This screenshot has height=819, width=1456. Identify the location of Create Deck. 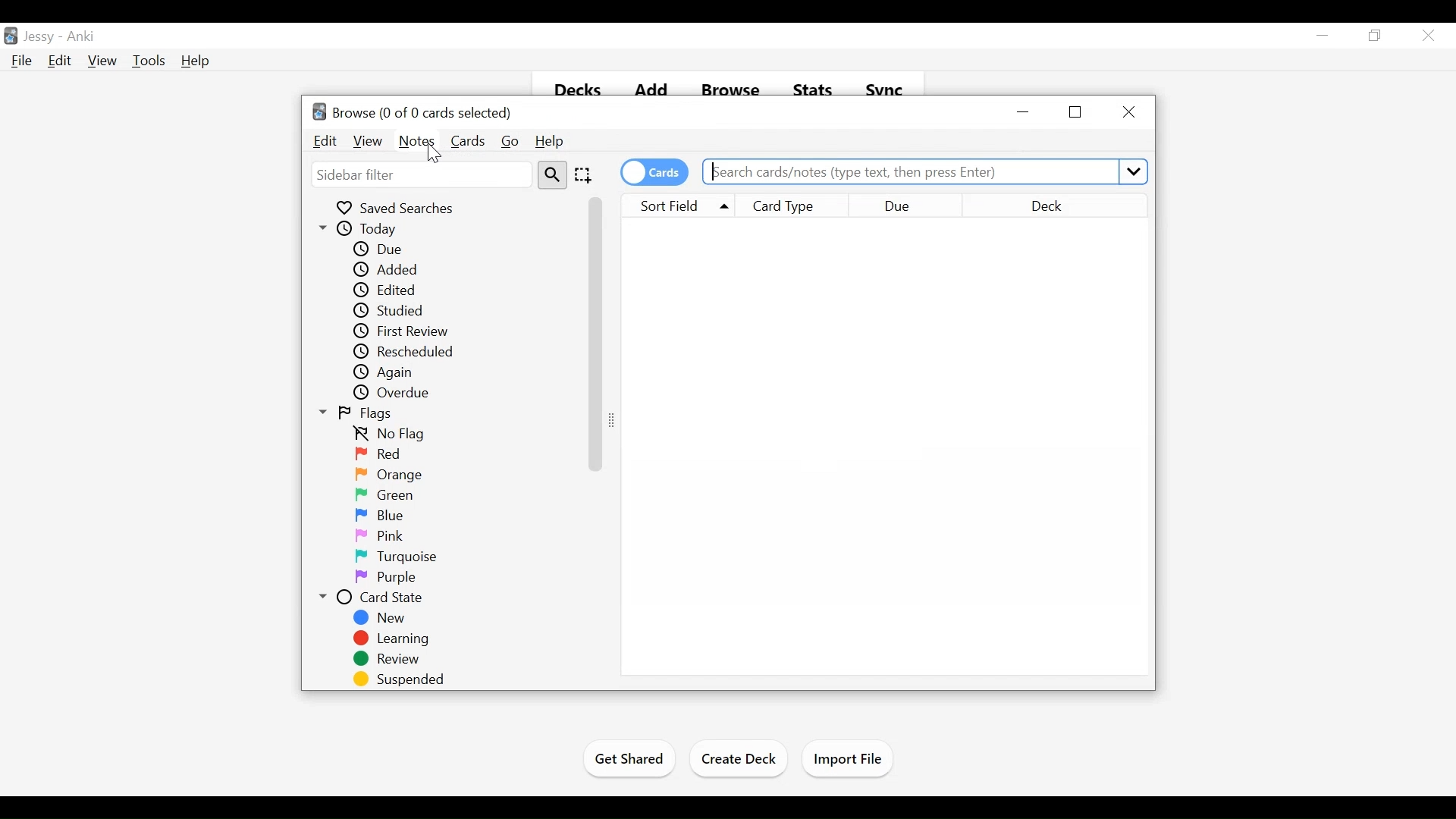
(739, 761).